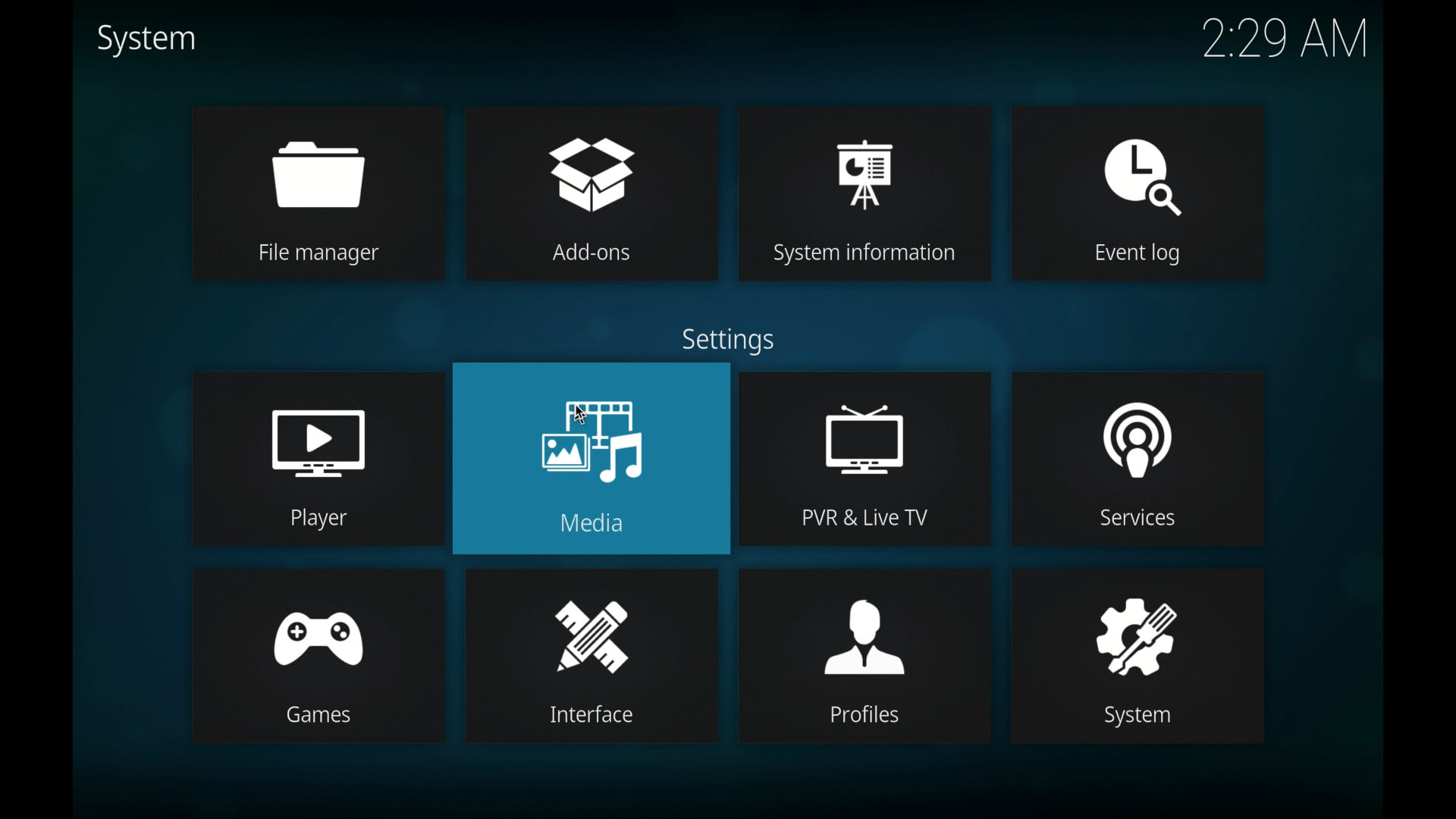  Describe the element at coordinates (871, 519) in the screenshot. I see `PVR & Live TV` at that location.